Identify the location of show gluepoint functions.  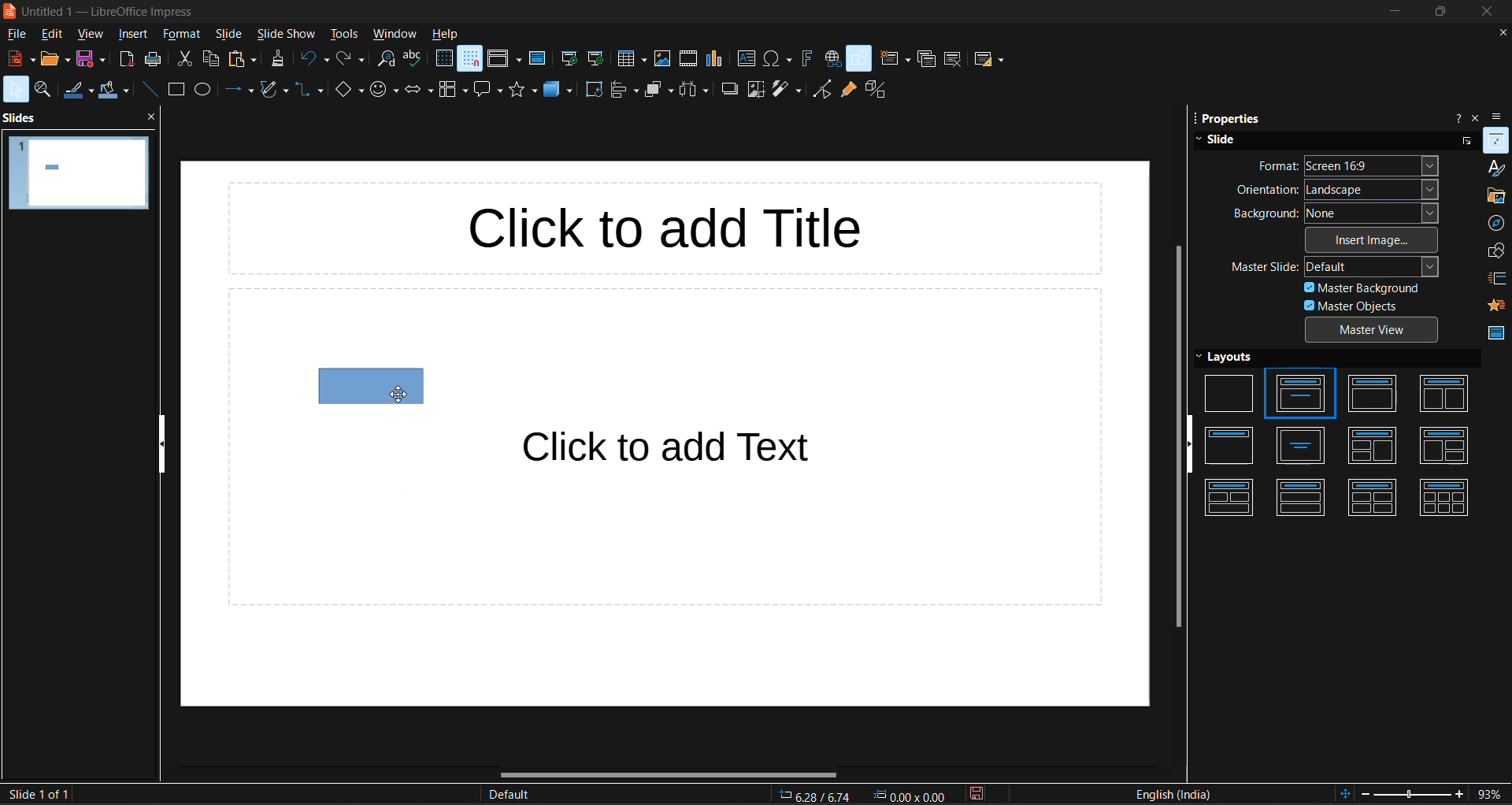
(846, 88).